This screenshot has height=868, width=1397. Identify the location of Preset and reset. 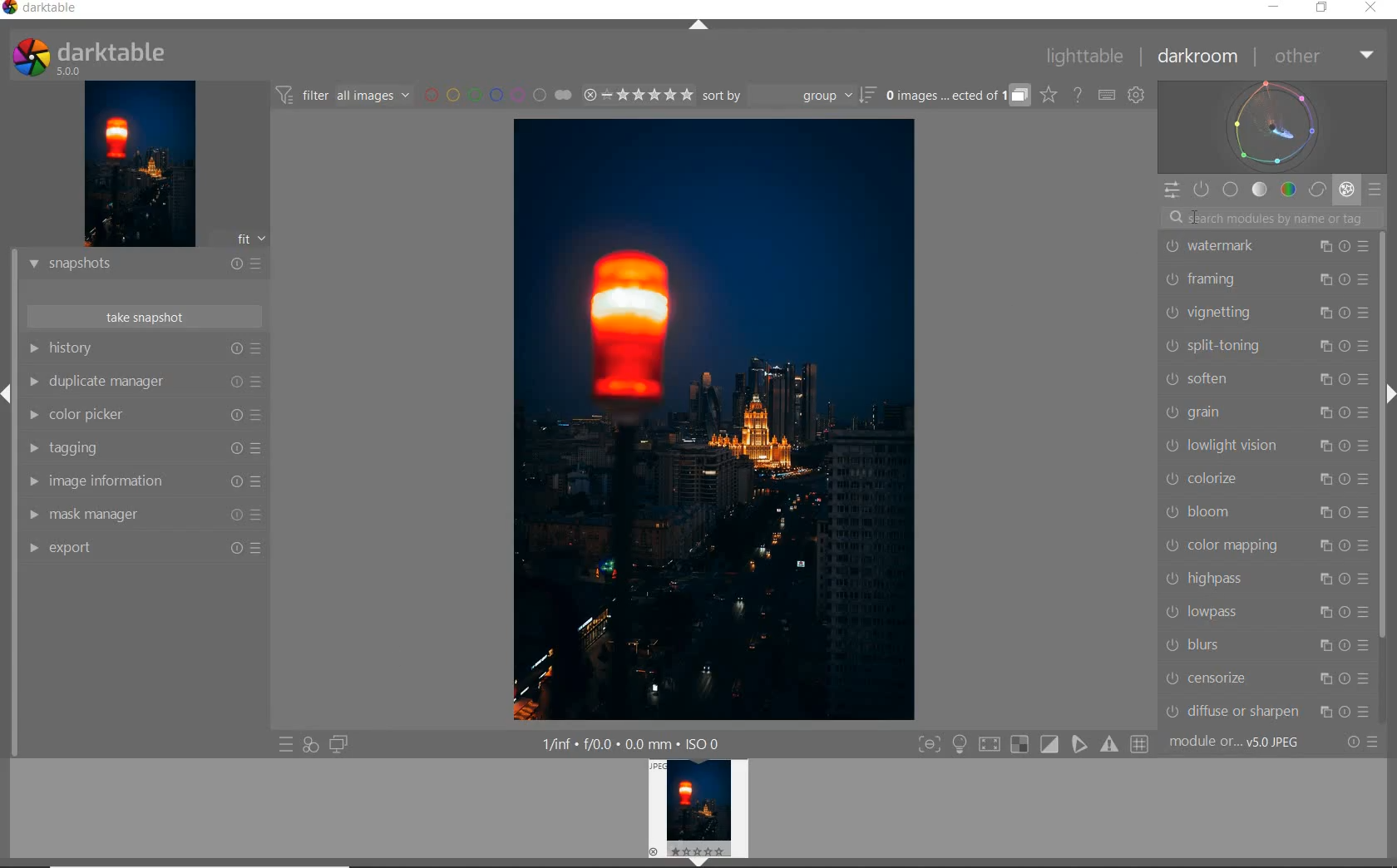
(1363, 611).